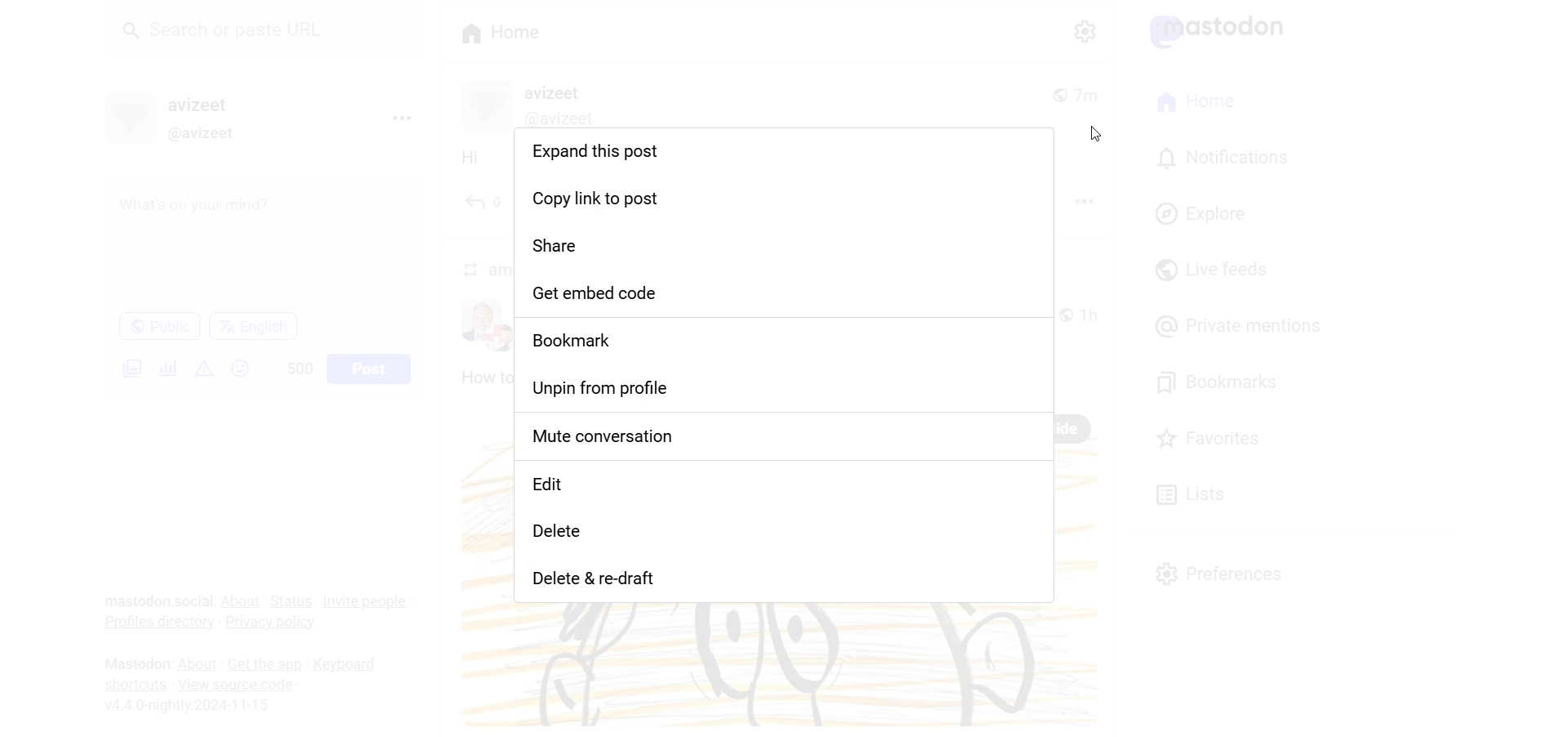  Describe the element at coordinates (158, 326) in the screenshot. I see `Public` at that location.